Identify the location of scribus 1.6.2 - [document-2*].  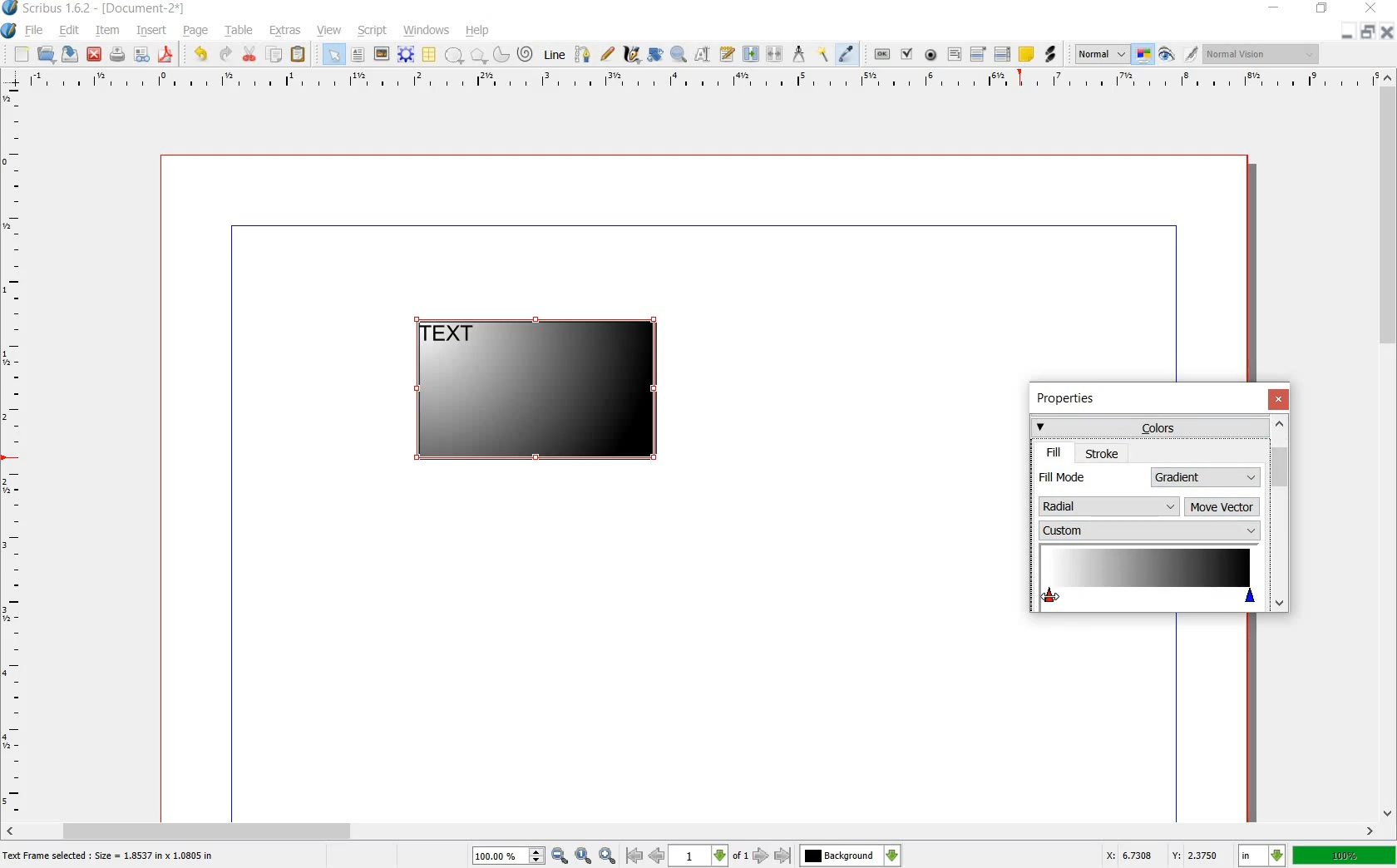
(110, 9).